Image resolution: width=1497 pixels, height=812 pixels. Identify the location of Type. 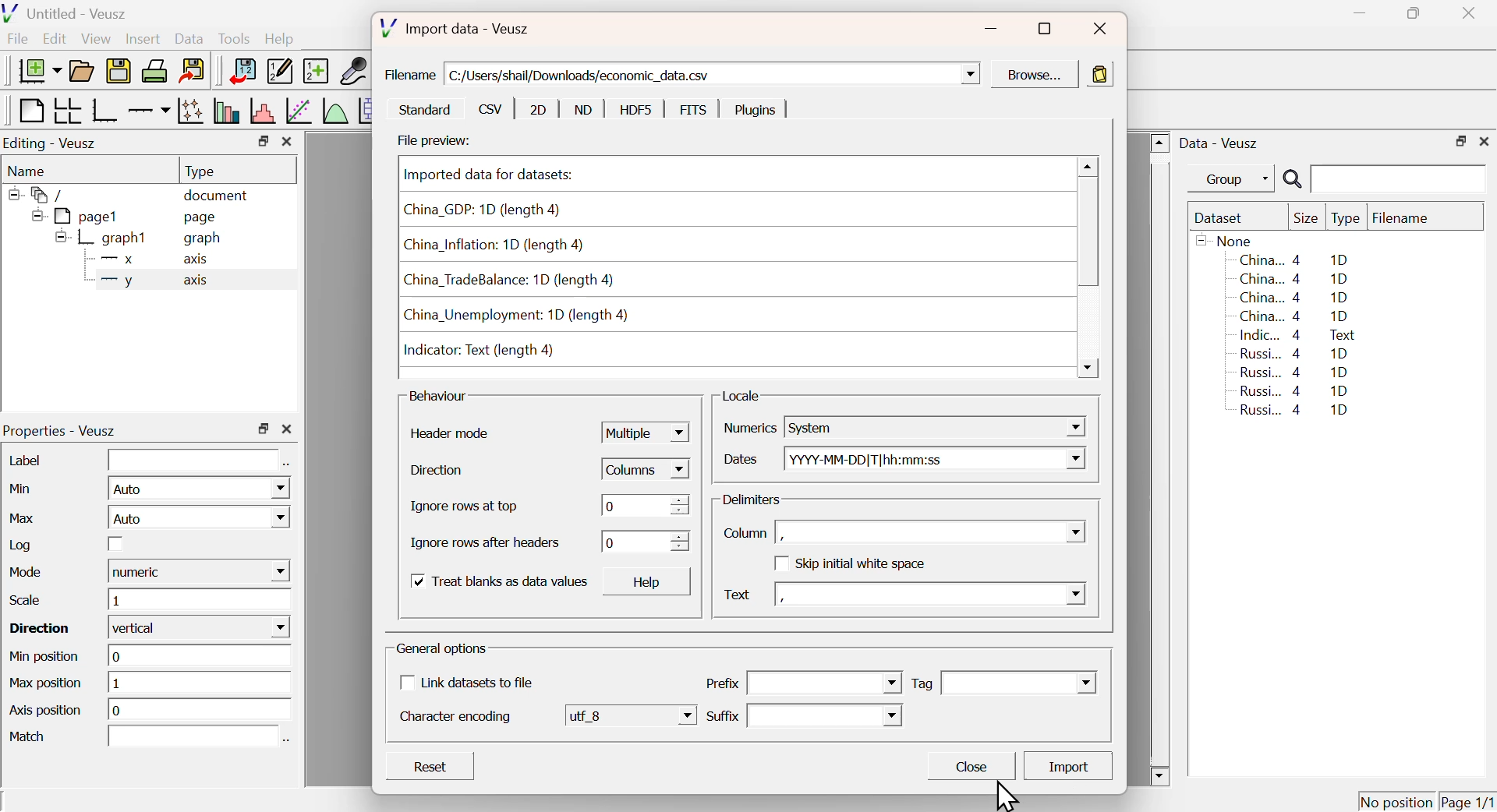
(1346, 219).